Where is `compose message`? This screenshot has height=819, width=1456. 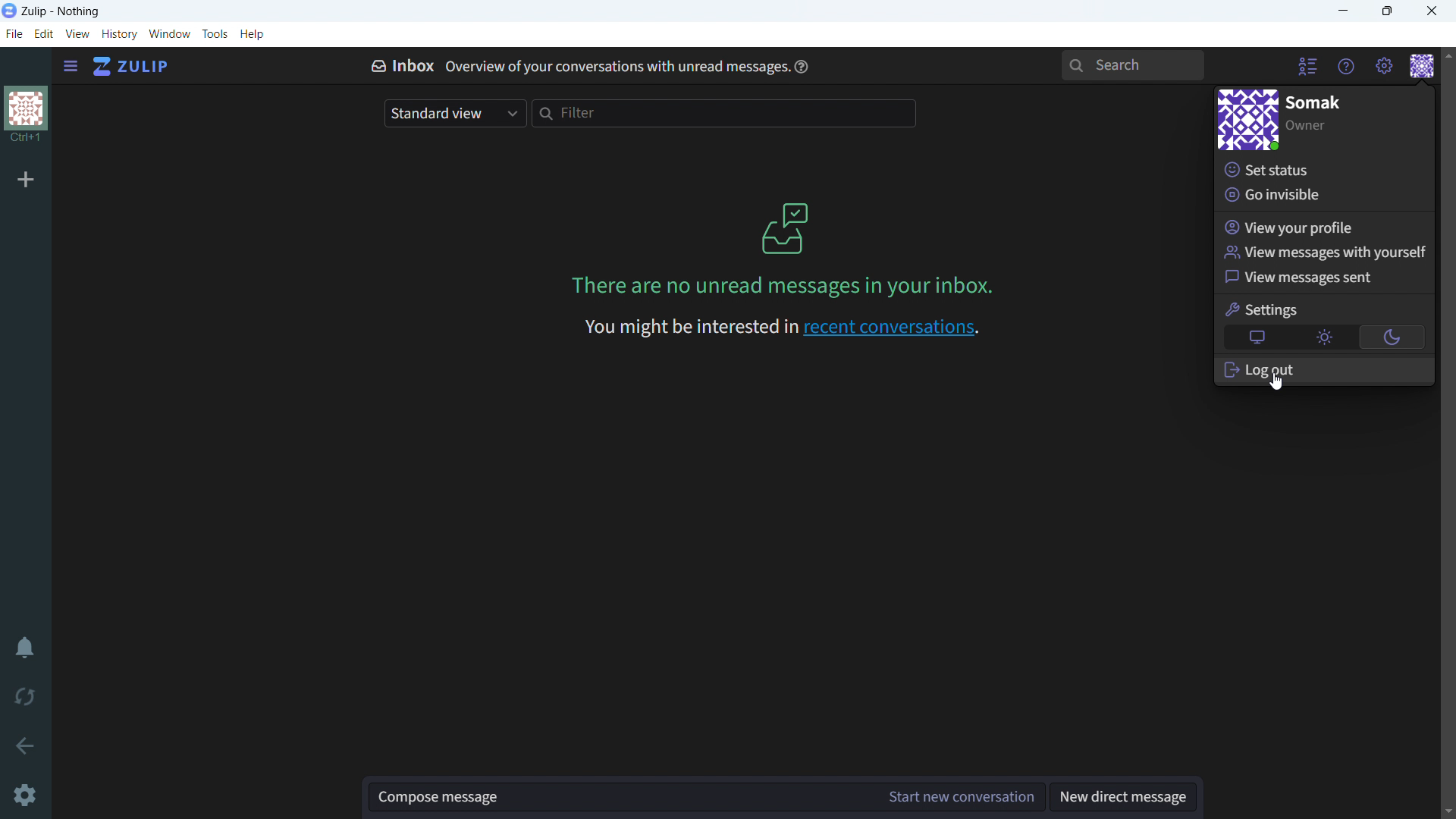 compose message is located at coordinates (623, 798).